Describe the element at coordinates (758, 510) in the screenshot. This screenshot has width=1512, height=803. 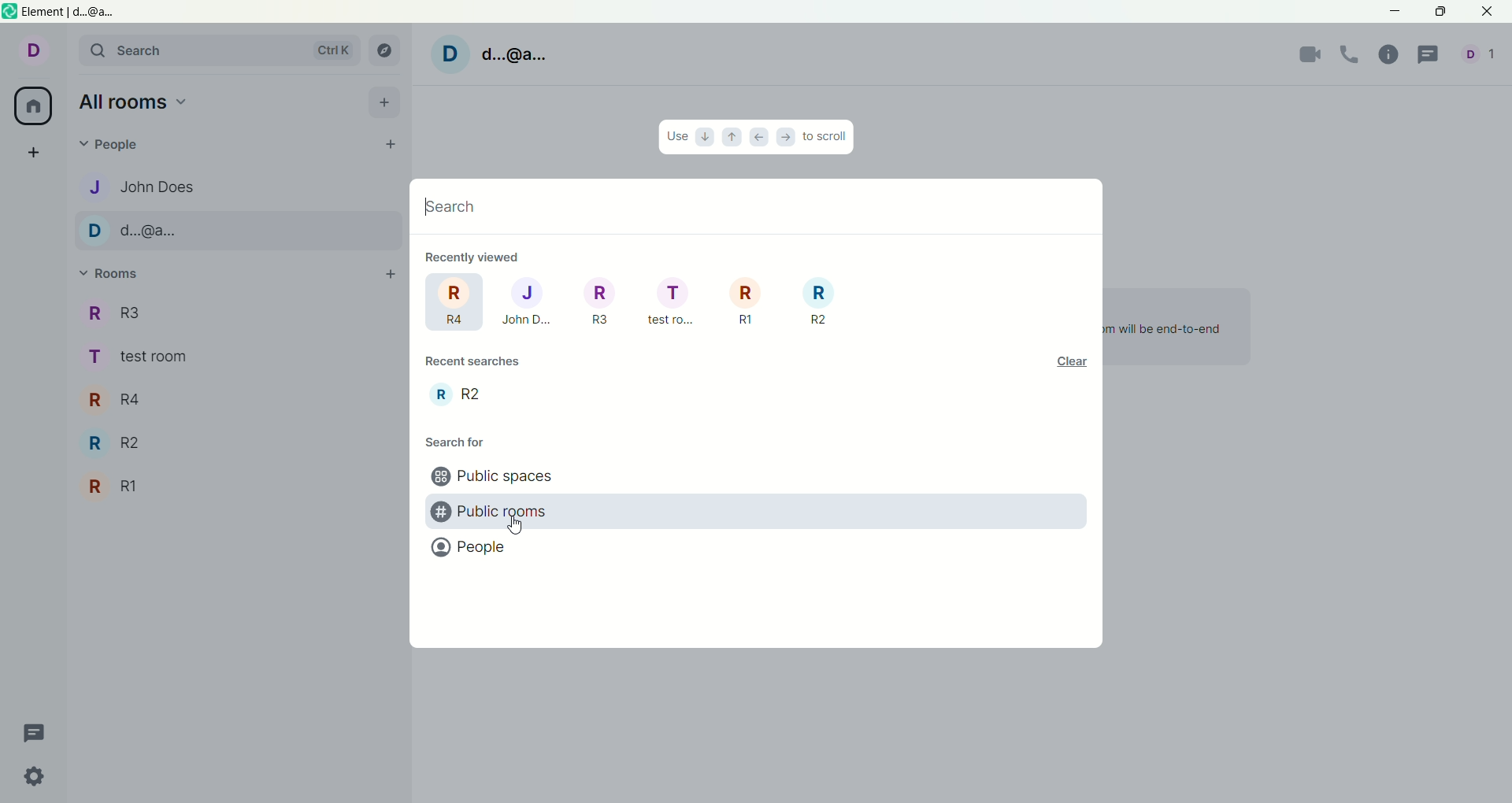
I see `public rooms` at that location.